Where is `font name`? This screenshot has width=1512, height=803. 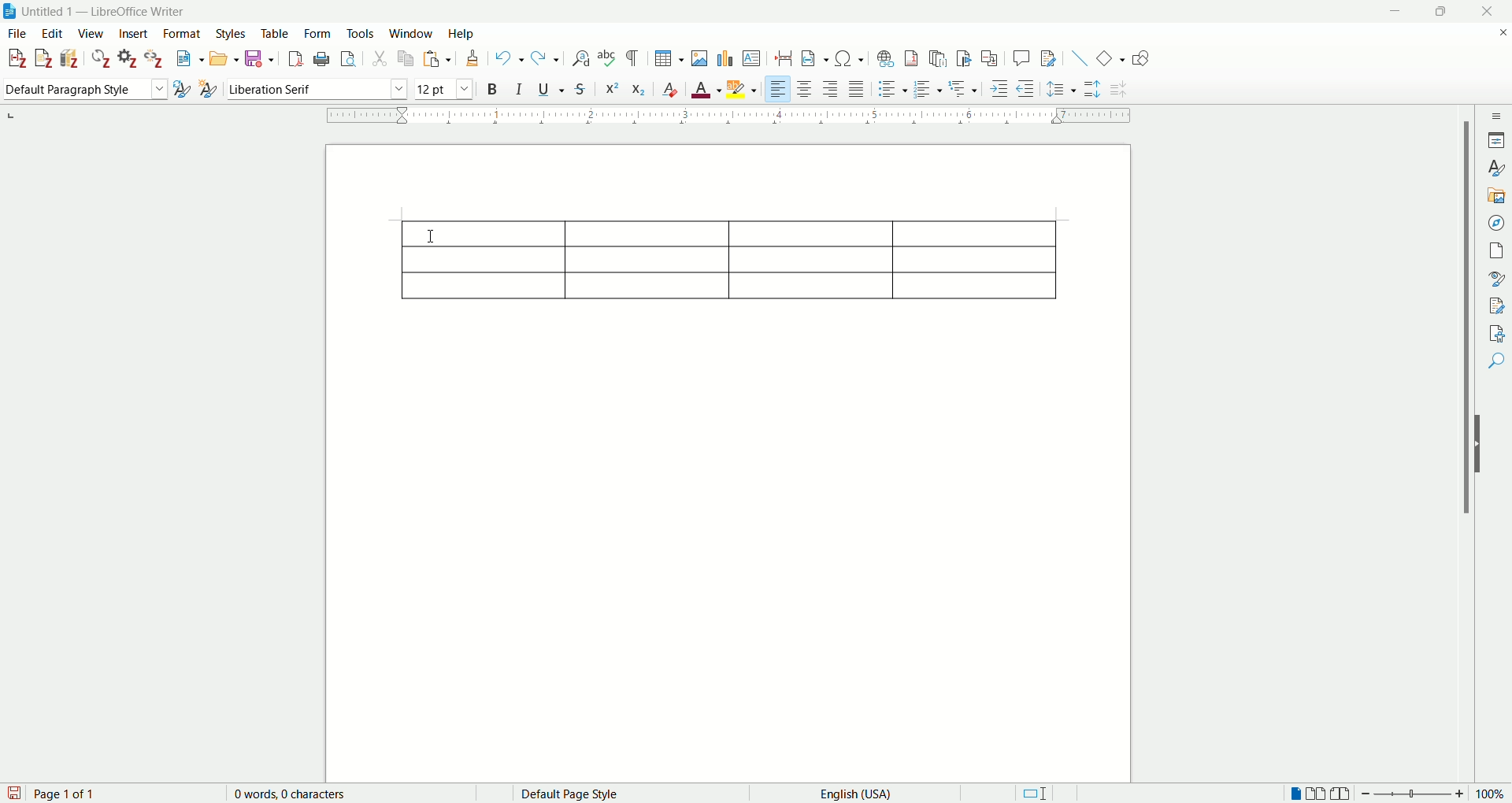 font name is located at coordinates (313, 89).